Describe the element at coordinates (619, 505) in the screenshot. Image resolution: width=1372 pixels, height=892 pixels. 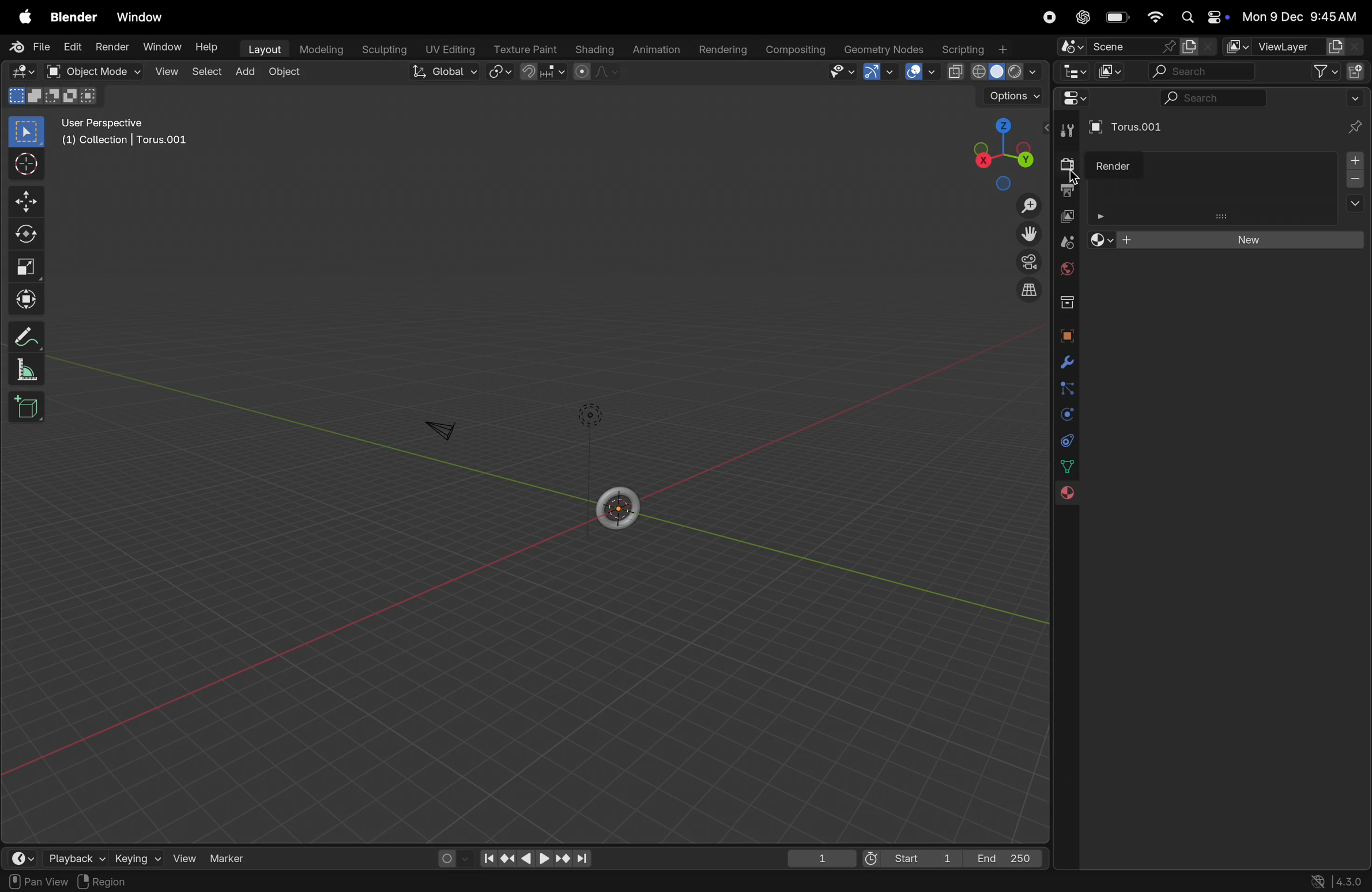
I see `torus` at that location.